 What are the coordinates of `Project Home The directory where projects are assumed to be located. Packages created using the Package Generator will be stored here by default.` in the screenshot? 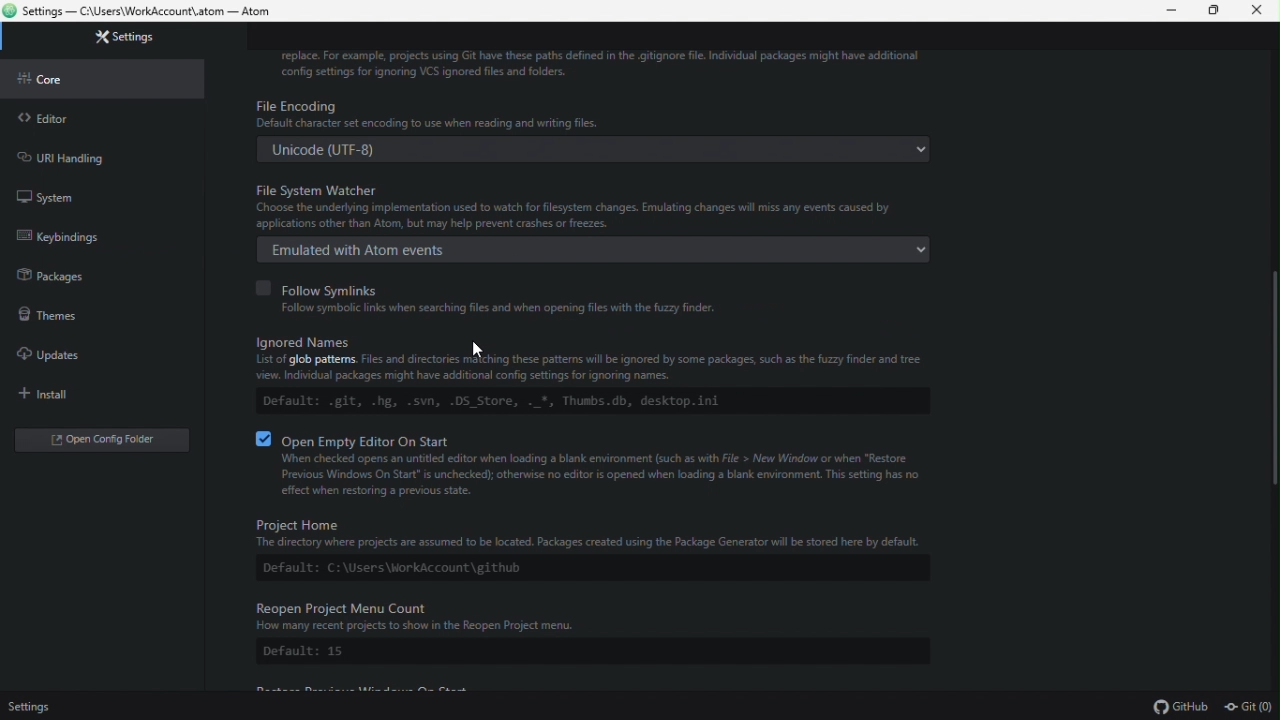 It's located at (581, 532).